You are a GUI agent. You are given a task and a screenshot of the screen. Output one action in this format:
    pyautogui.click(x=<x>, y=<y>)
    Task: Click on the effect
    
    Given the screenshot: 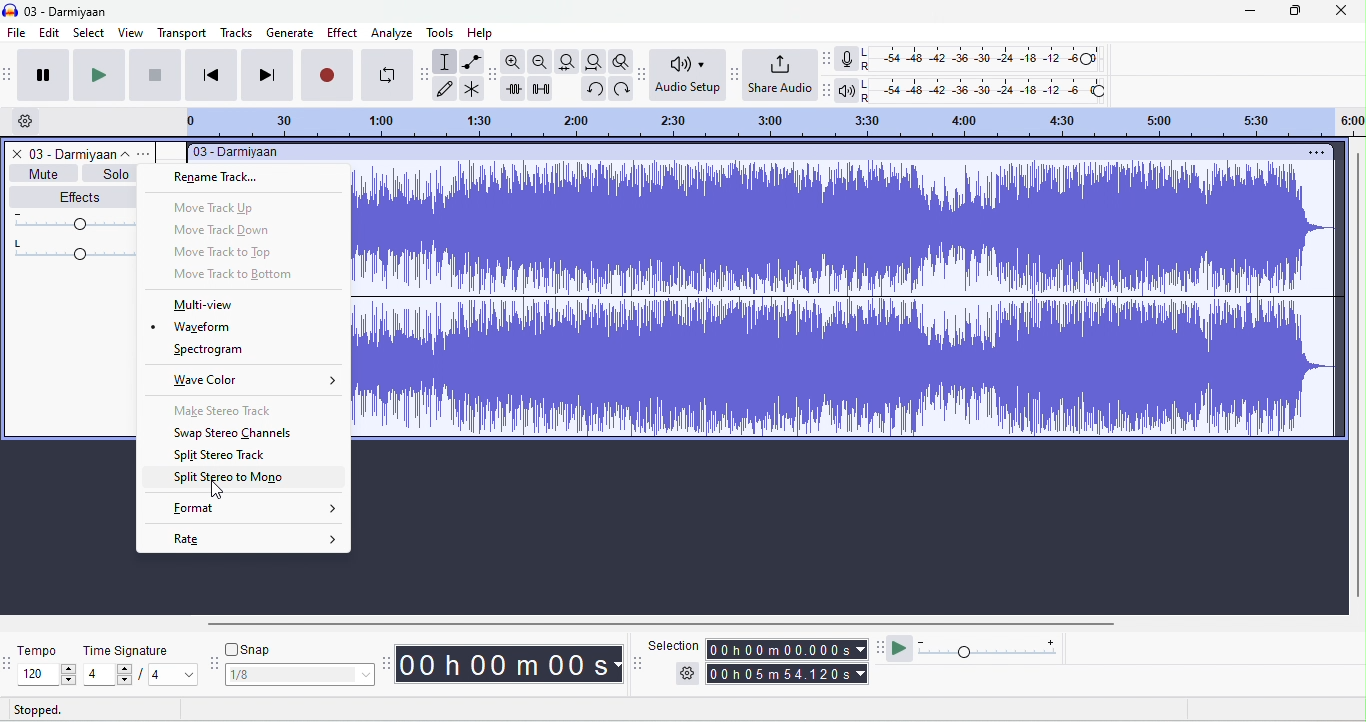 What is the action you would take?
    pyautogui.click(x=343, y=31)
    